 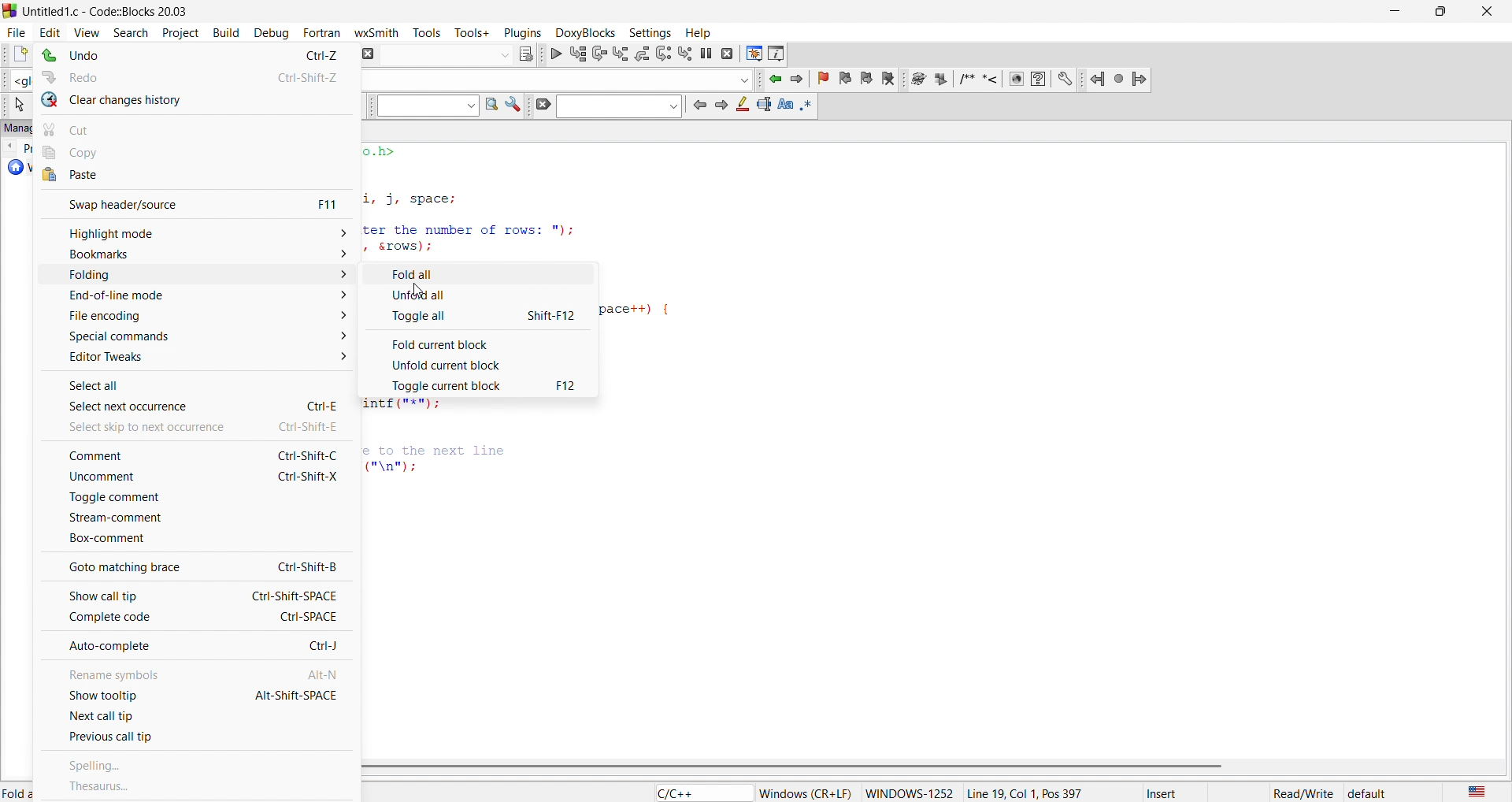 What do you see at coordinates (192, 455) in the screenshot?
I see `comment` at bounding box center [192, 455].